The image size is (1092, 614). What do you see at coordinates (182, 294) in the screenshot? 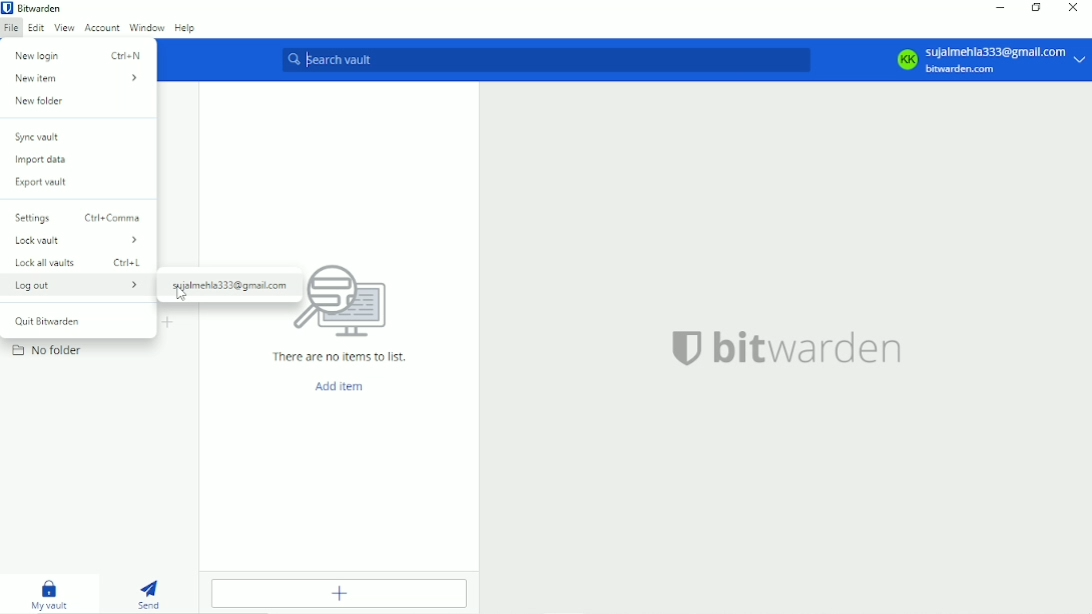
I see `cursor` at bounding box center [182, 294].